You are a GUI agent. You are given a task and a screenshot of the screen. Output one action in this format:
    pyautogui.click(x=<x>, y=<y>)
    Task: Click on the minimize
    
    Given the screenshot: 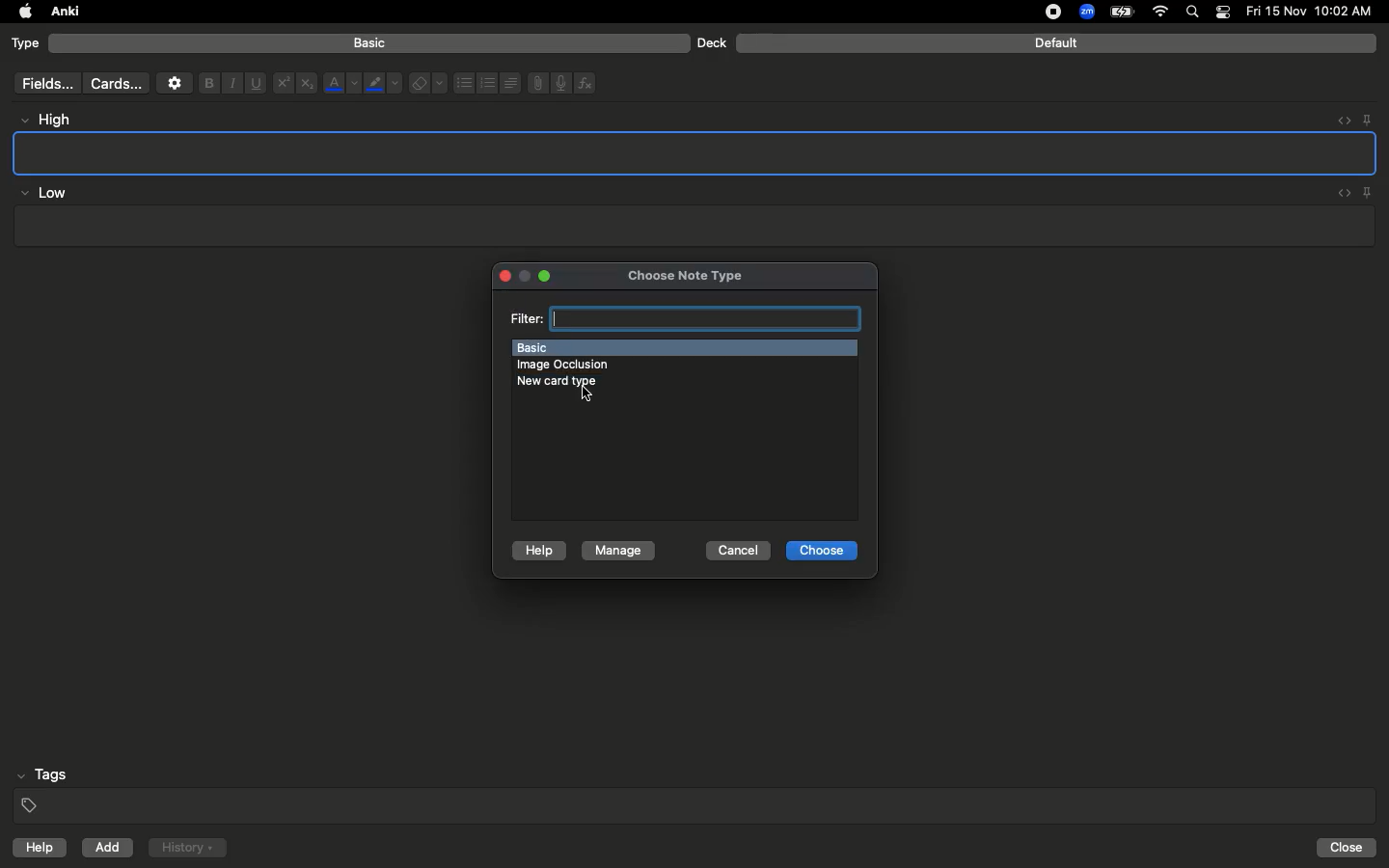 What is the action you would take?
    pyautogui.click(x=526, y=278)
    